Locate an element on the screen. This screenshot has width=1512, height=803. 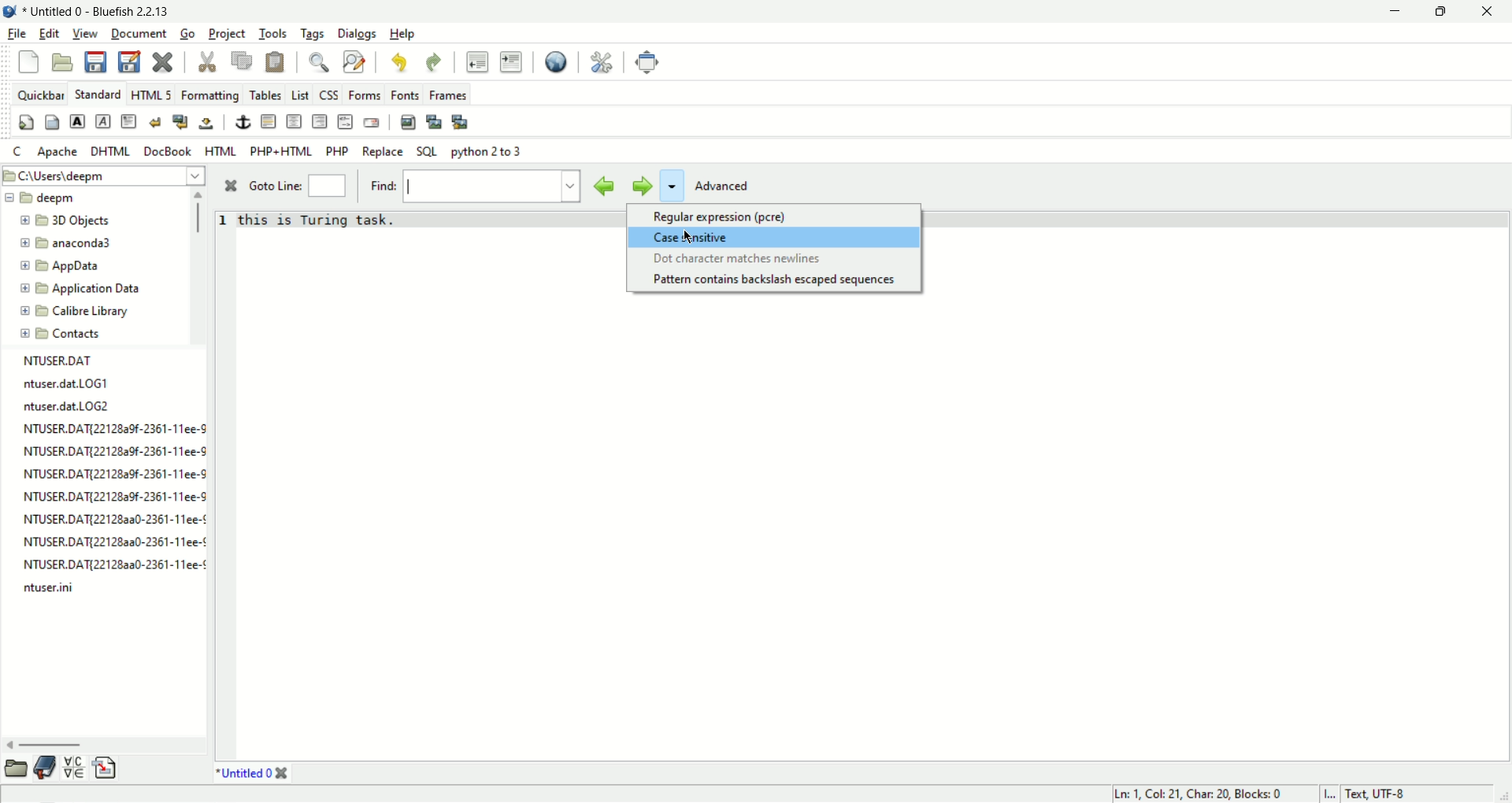
DocBook is located at coordinates (167, 151).